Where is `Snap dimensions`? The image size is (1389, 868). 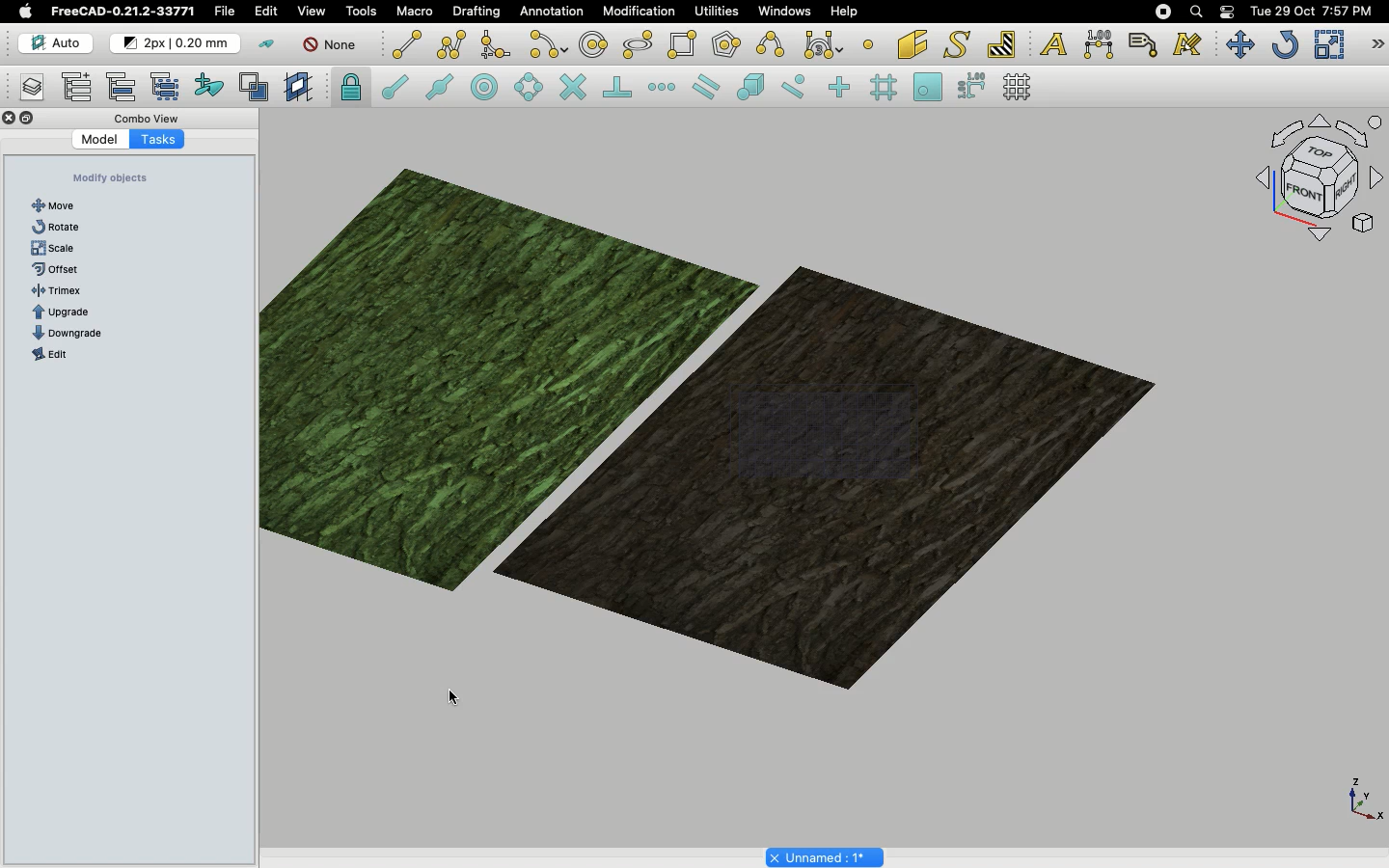
Snap dimensions is located at coordinates (972, 87).